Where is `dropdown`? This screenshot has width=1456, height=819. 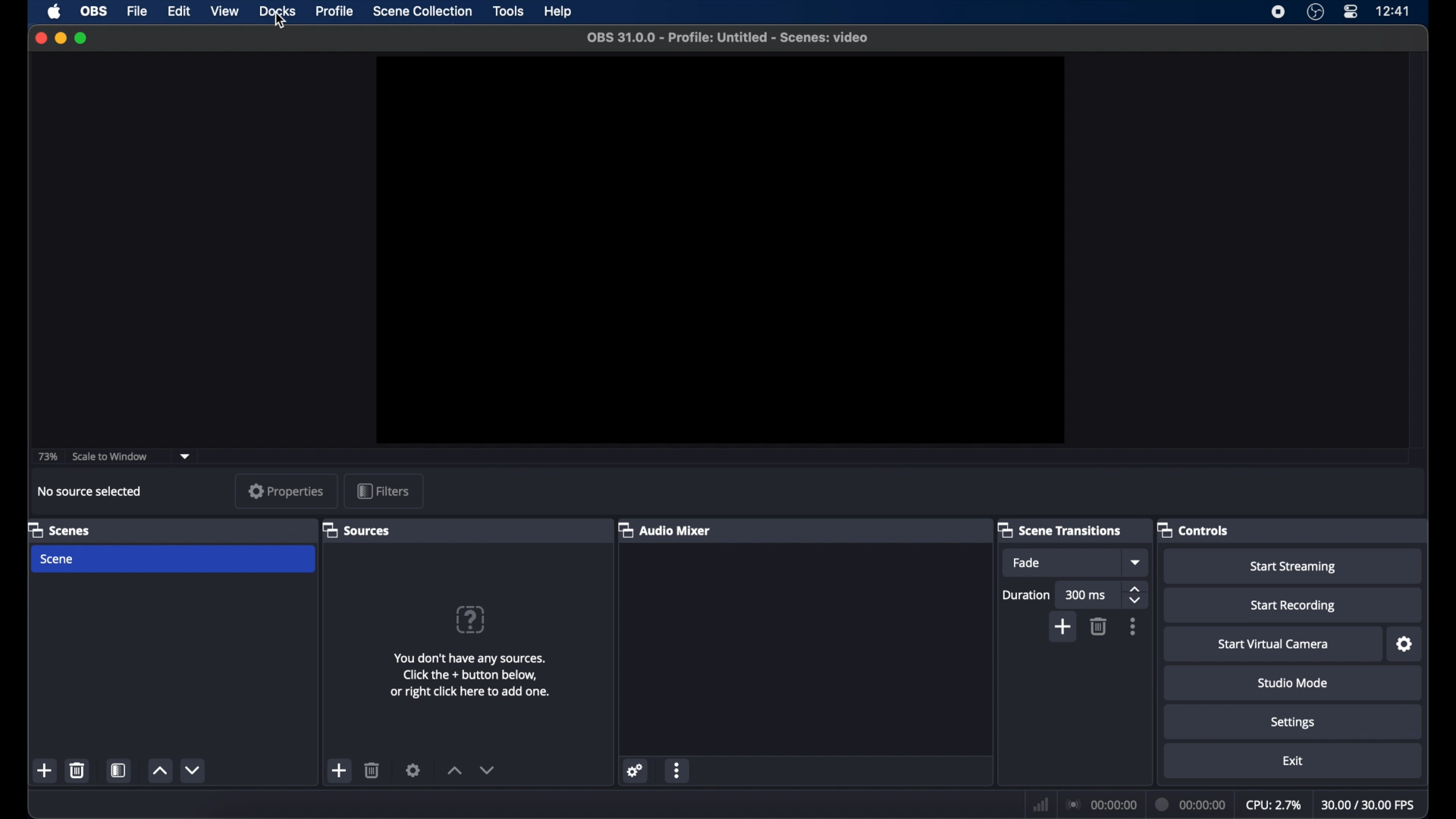 dropdown is located at coordinates (186, 457).